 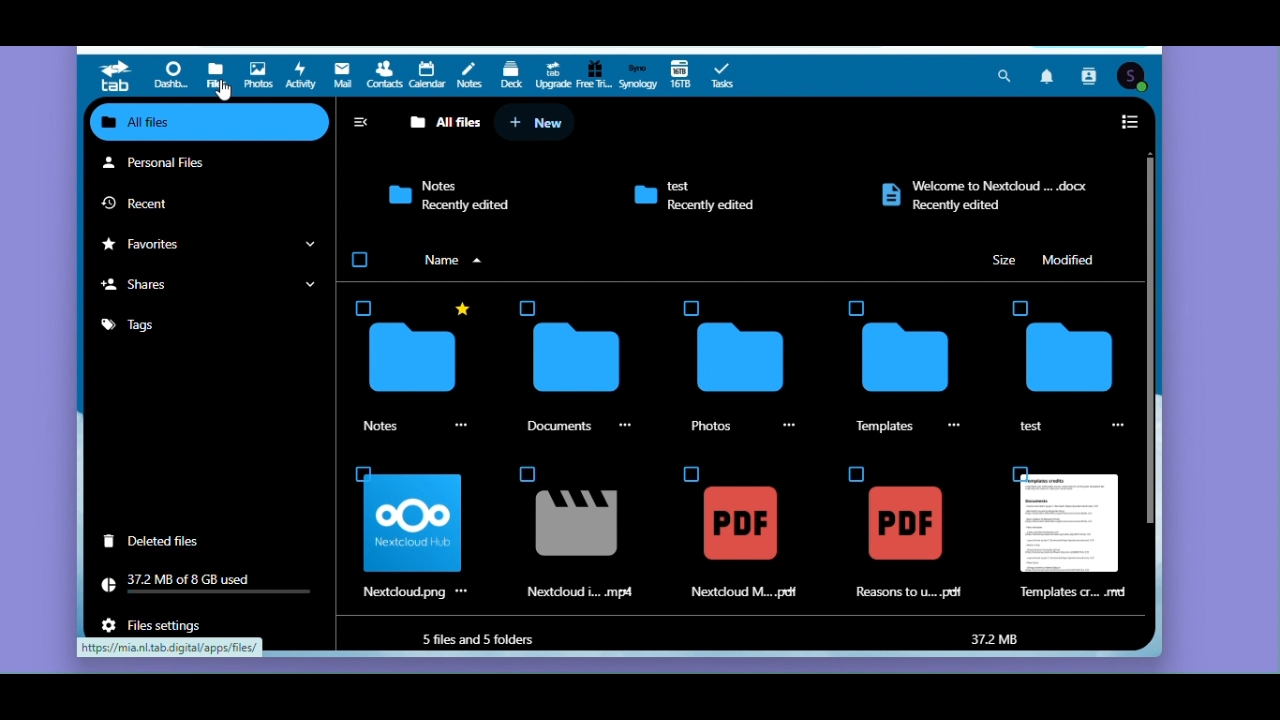 What do you see at coordinates (384, 75) in the screenshot?
I see `Contacts` at bounding box center [384, 75].